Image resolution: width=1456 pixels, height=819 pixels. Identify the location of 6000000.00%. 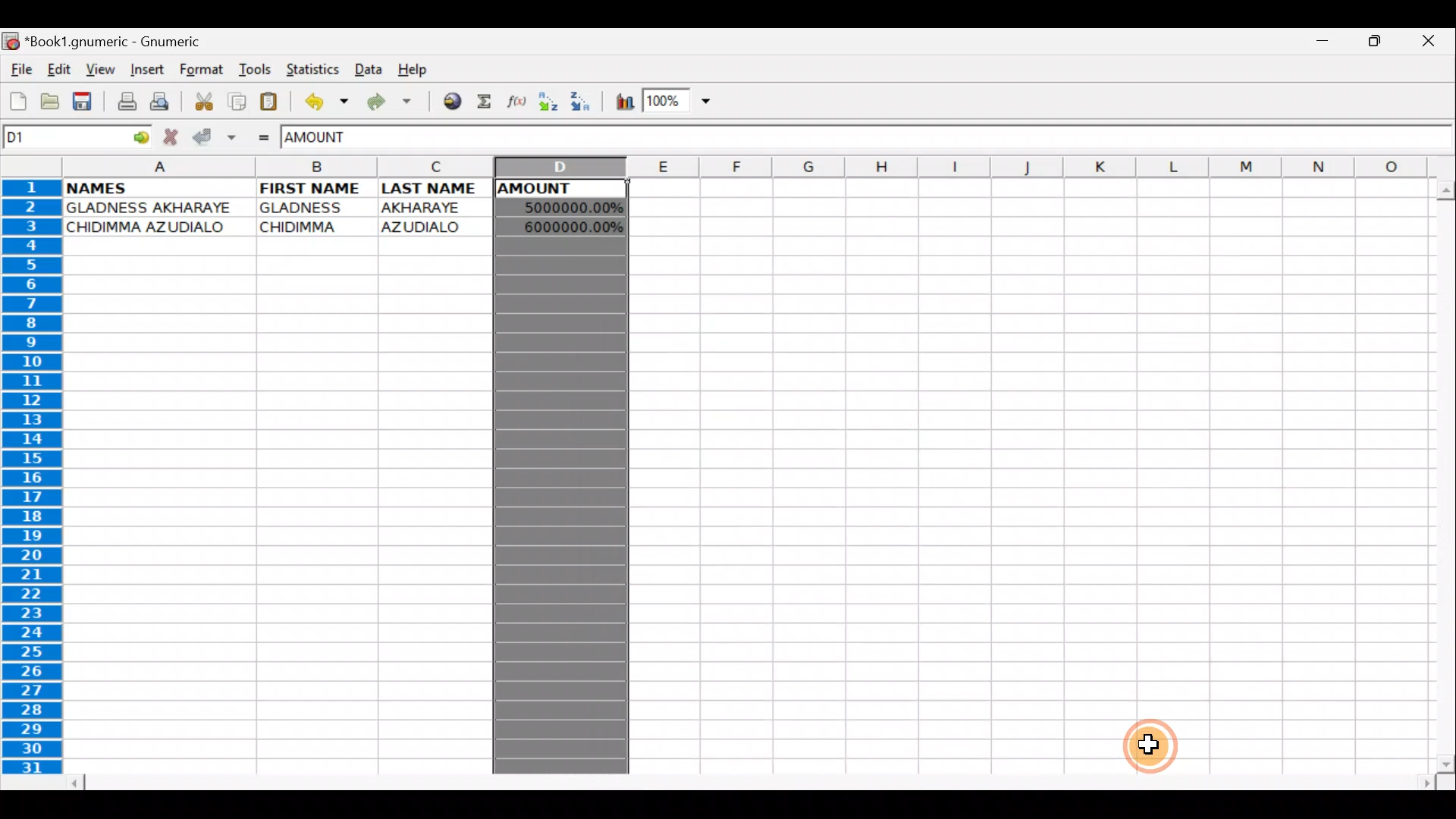
(564, 226).